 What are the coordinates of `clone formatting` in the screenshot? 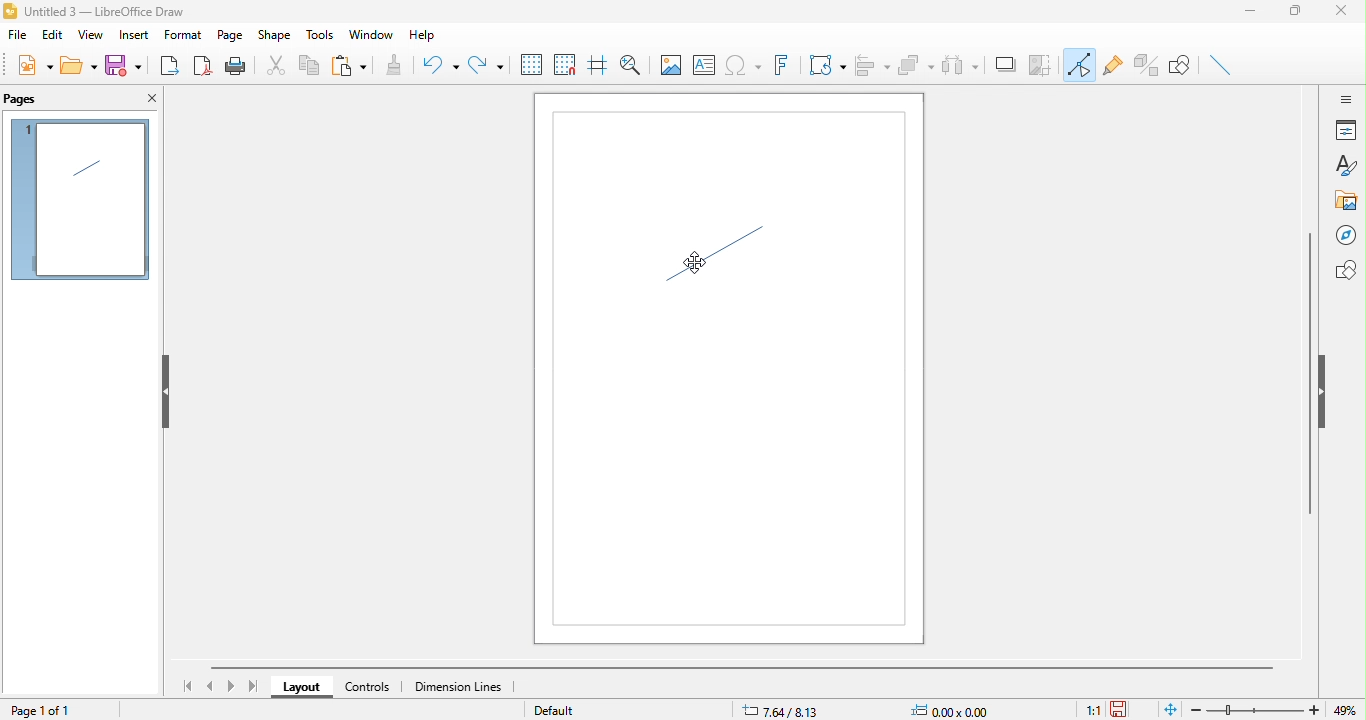 It's located at (401, 67).